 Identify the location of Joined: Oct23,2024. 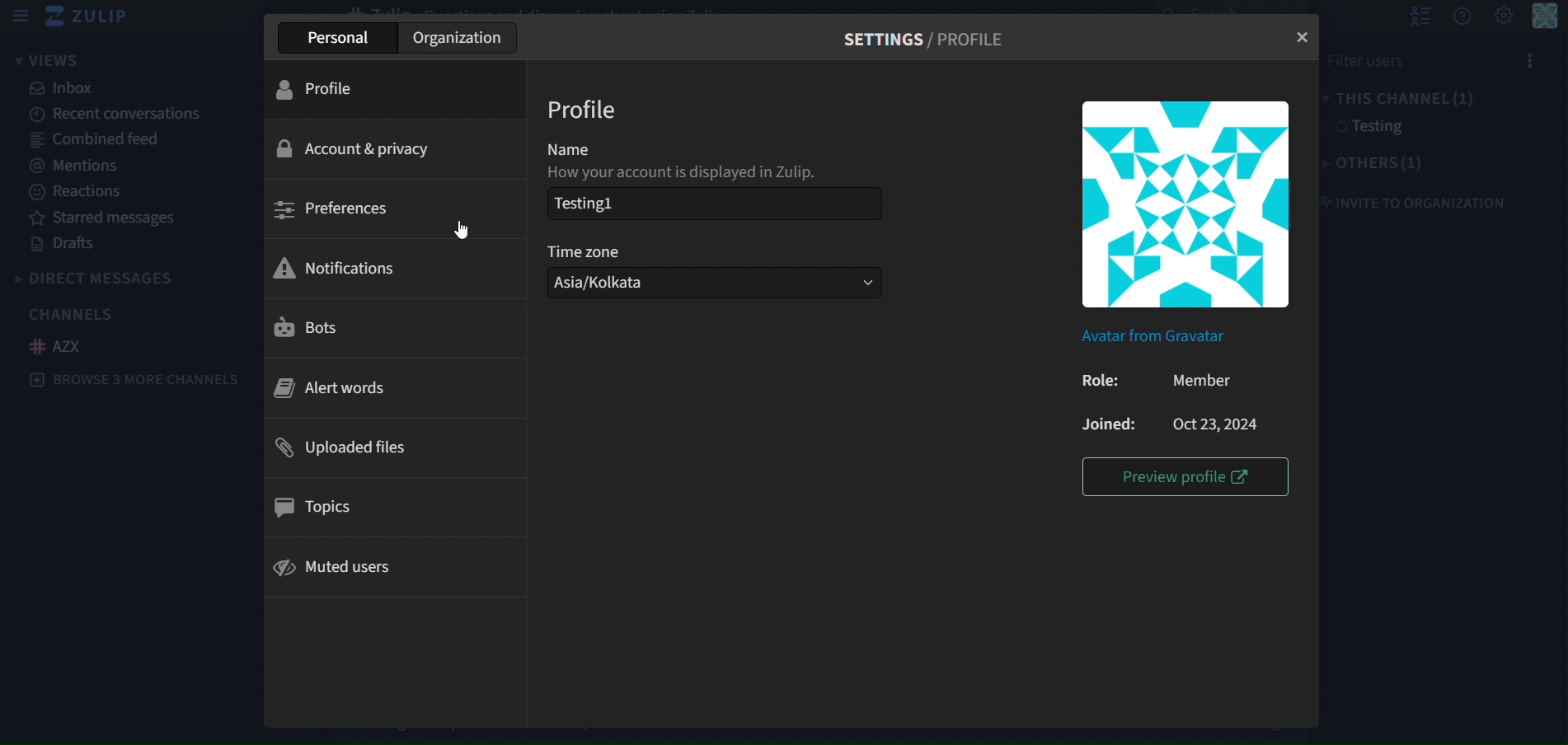
(1167, 425).